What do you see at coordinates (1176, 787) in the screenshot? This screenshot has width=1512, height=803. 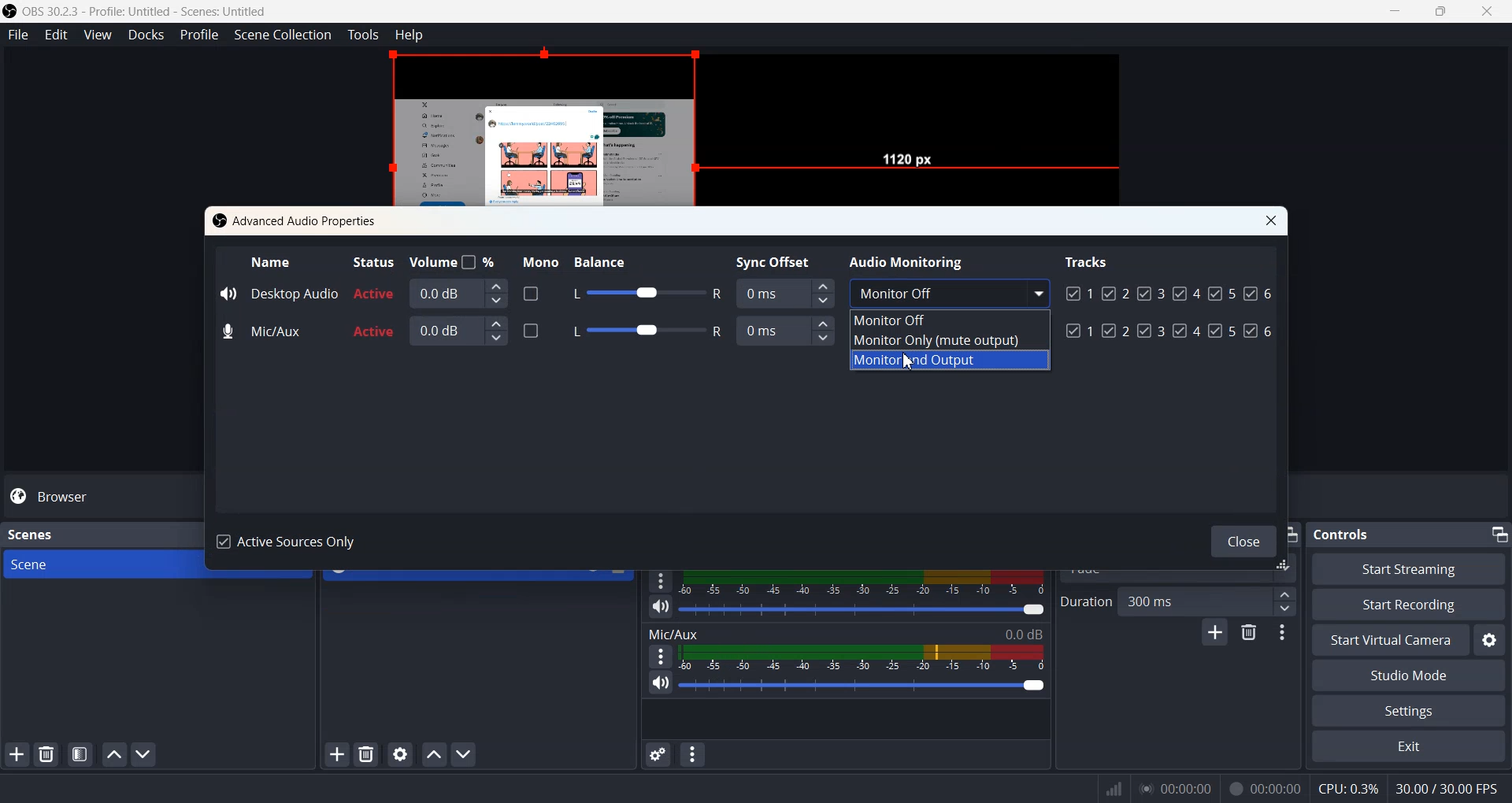 I see `00:00:00` at bounding box center [1176, 787].